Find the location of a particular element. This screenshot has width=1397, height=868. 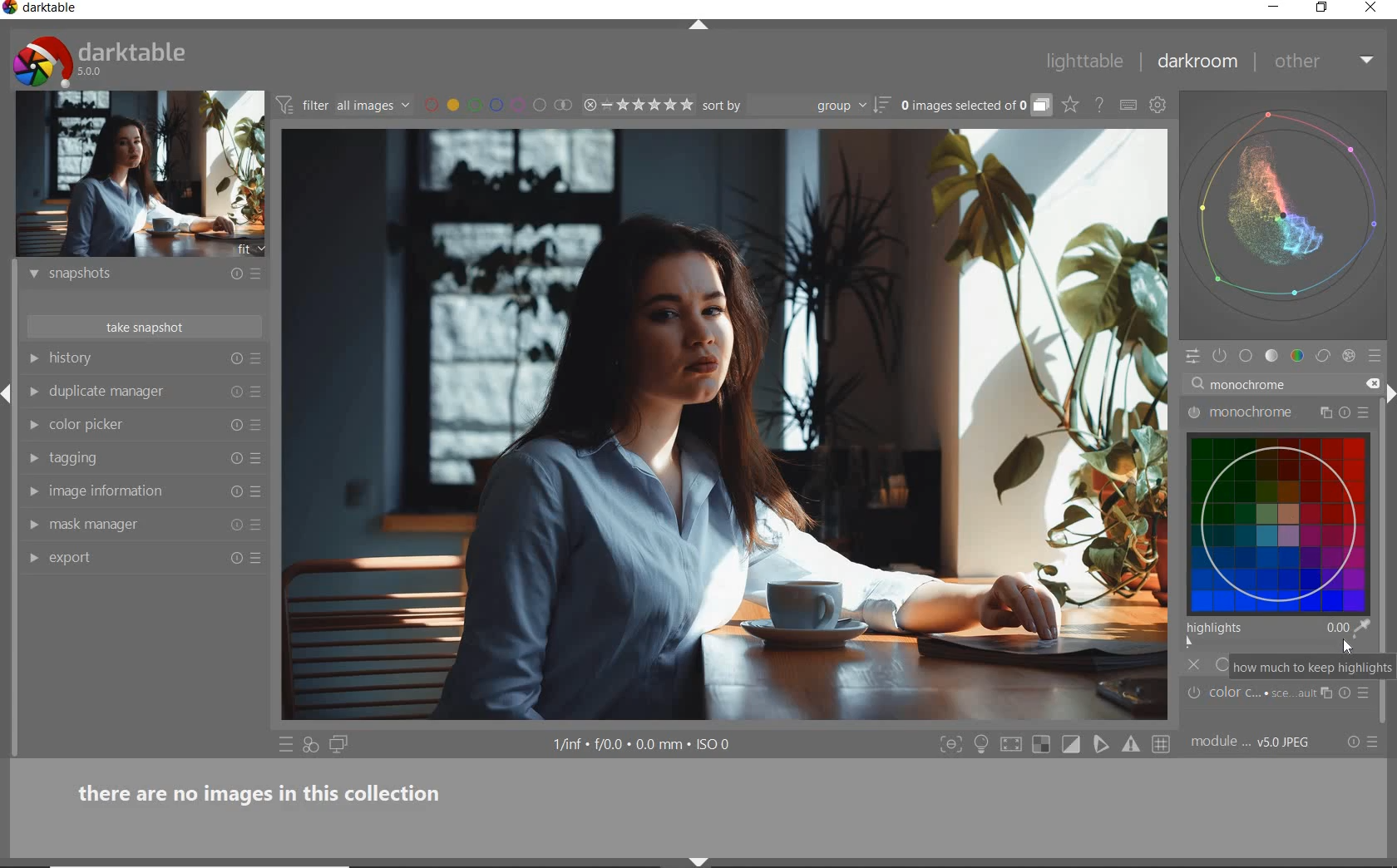

preset and preferences is located at coordinates (258, 526).